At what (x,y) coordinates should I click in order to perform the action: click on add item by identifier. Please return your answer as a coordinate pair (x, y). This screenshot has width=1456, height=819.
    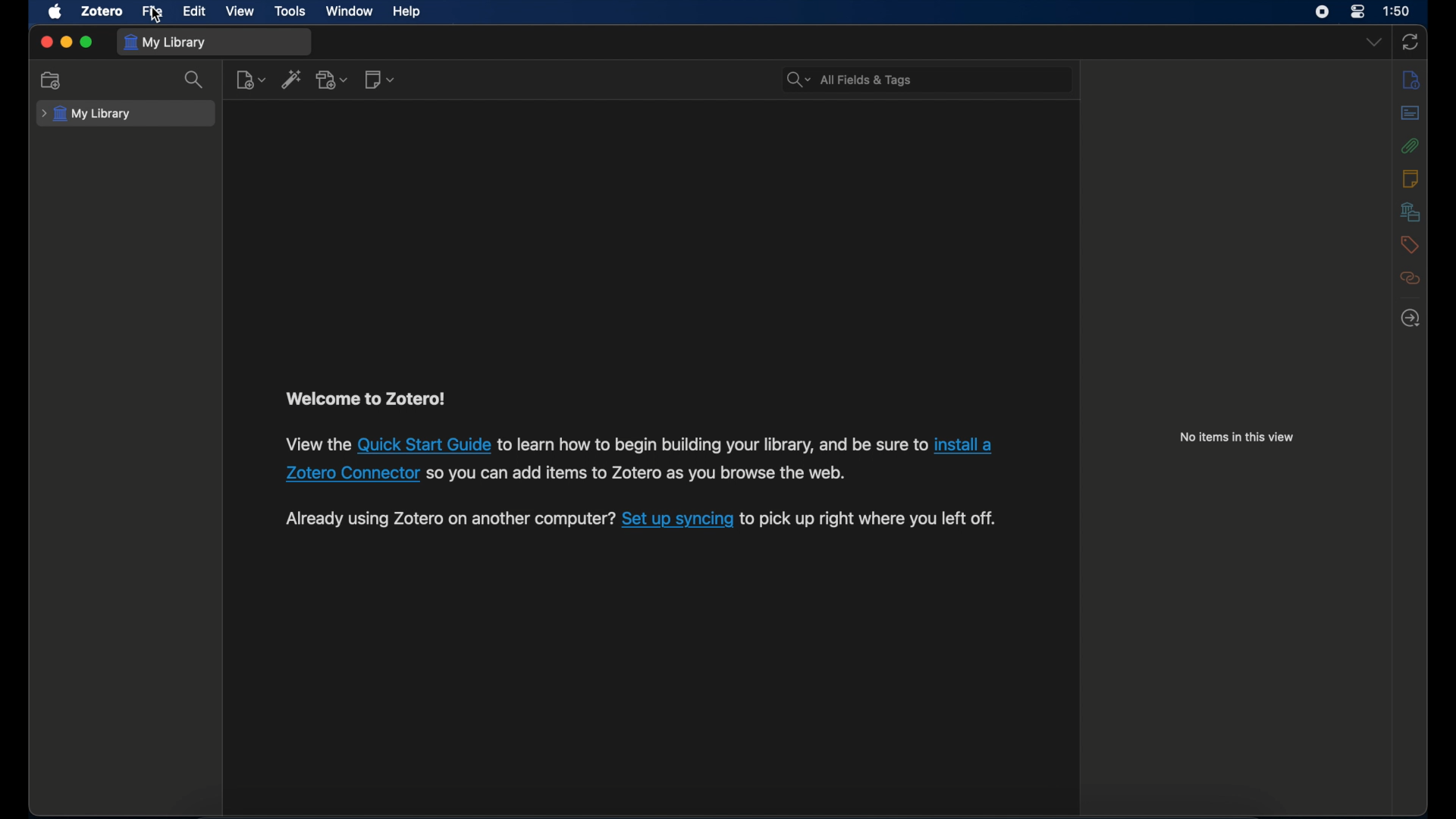
    Looking at the image, I should click on (291, 79).